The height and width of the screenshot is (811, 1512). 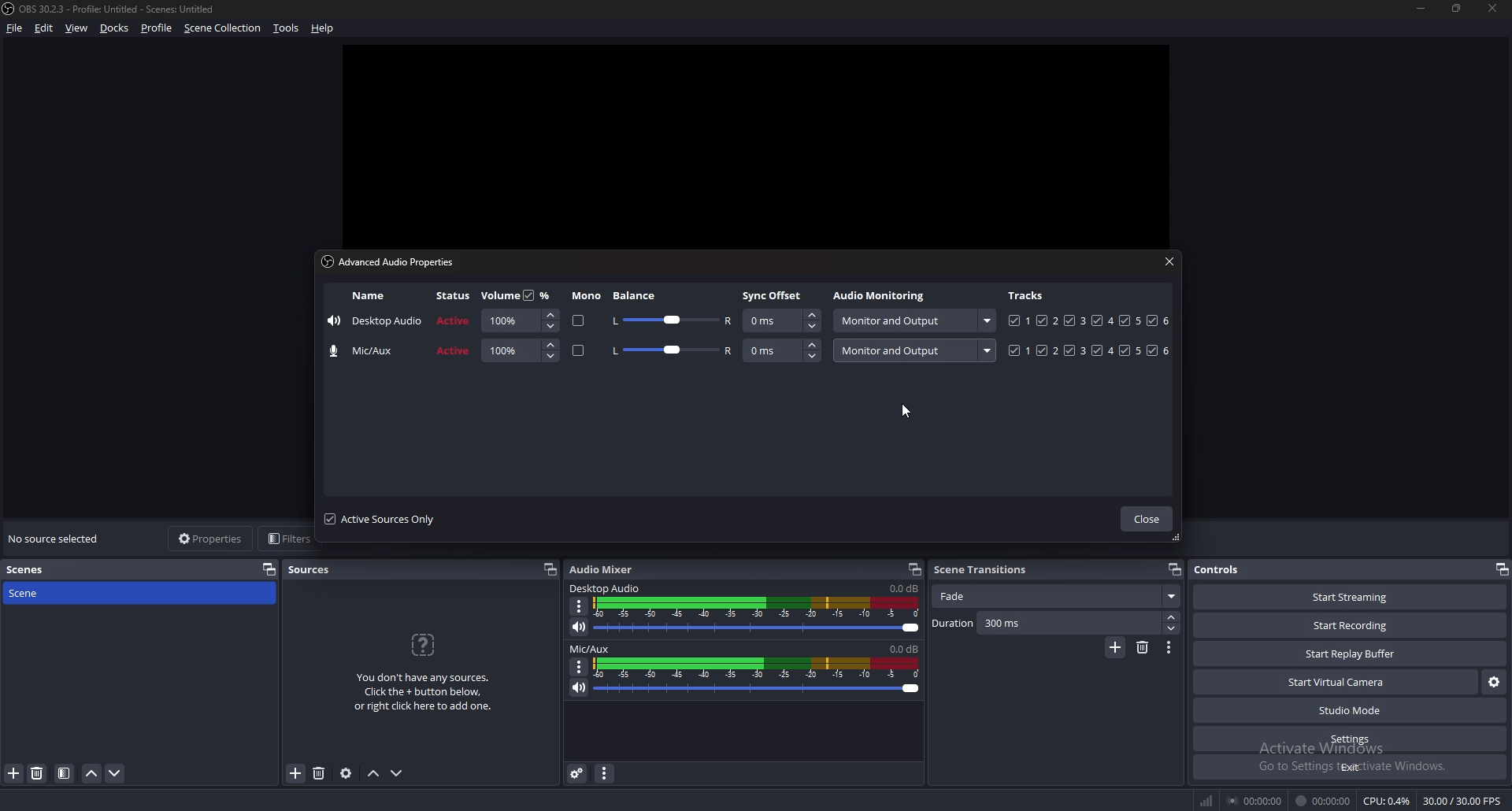 What do you see at coordinates (320, 772) in the screenshot?
I see `remove source` at bounding box center [320, 772].